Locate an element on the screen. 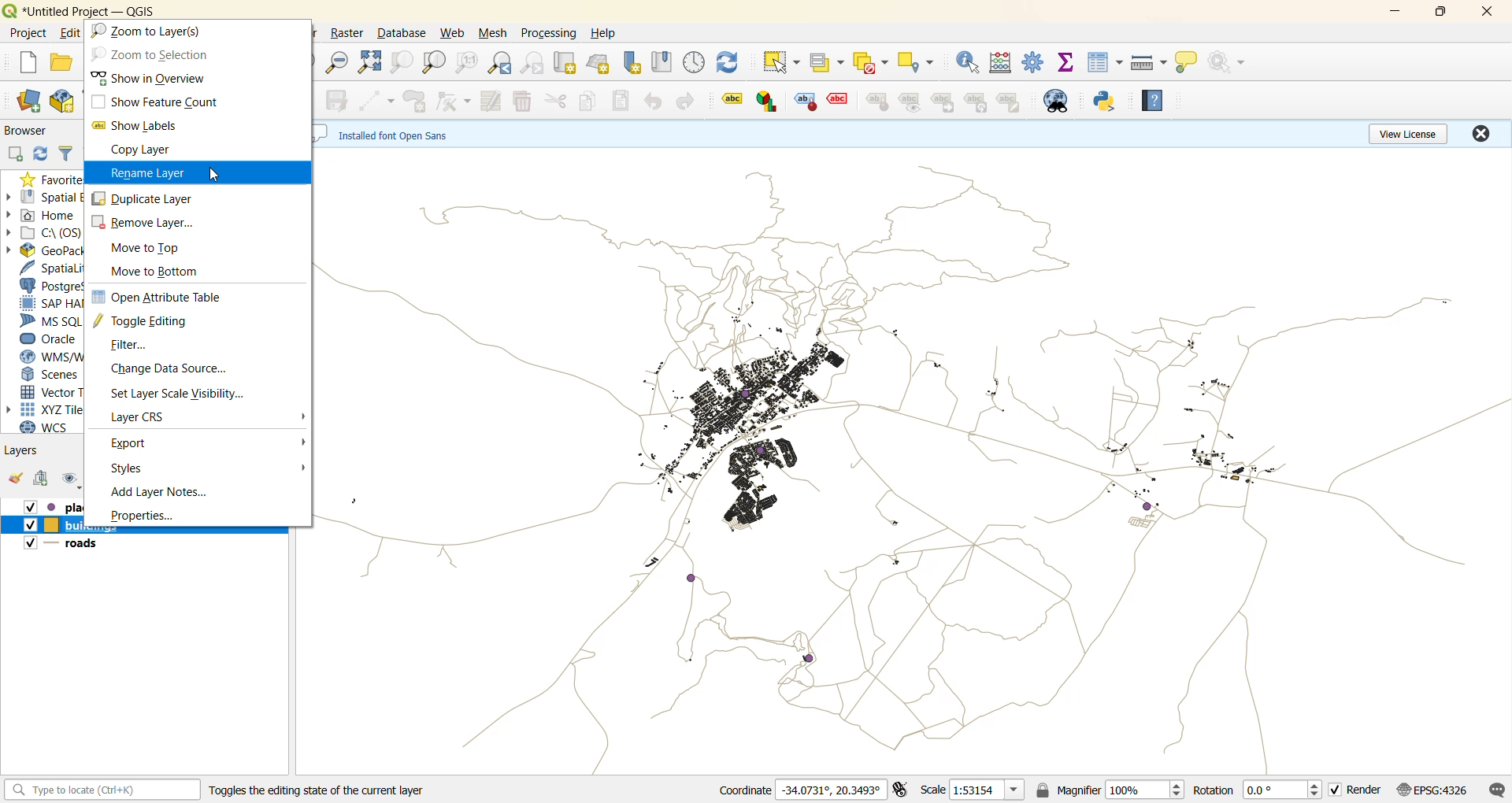 The height and width of the screenshot is (803, 1512). open is located at coordinates (64, 65).